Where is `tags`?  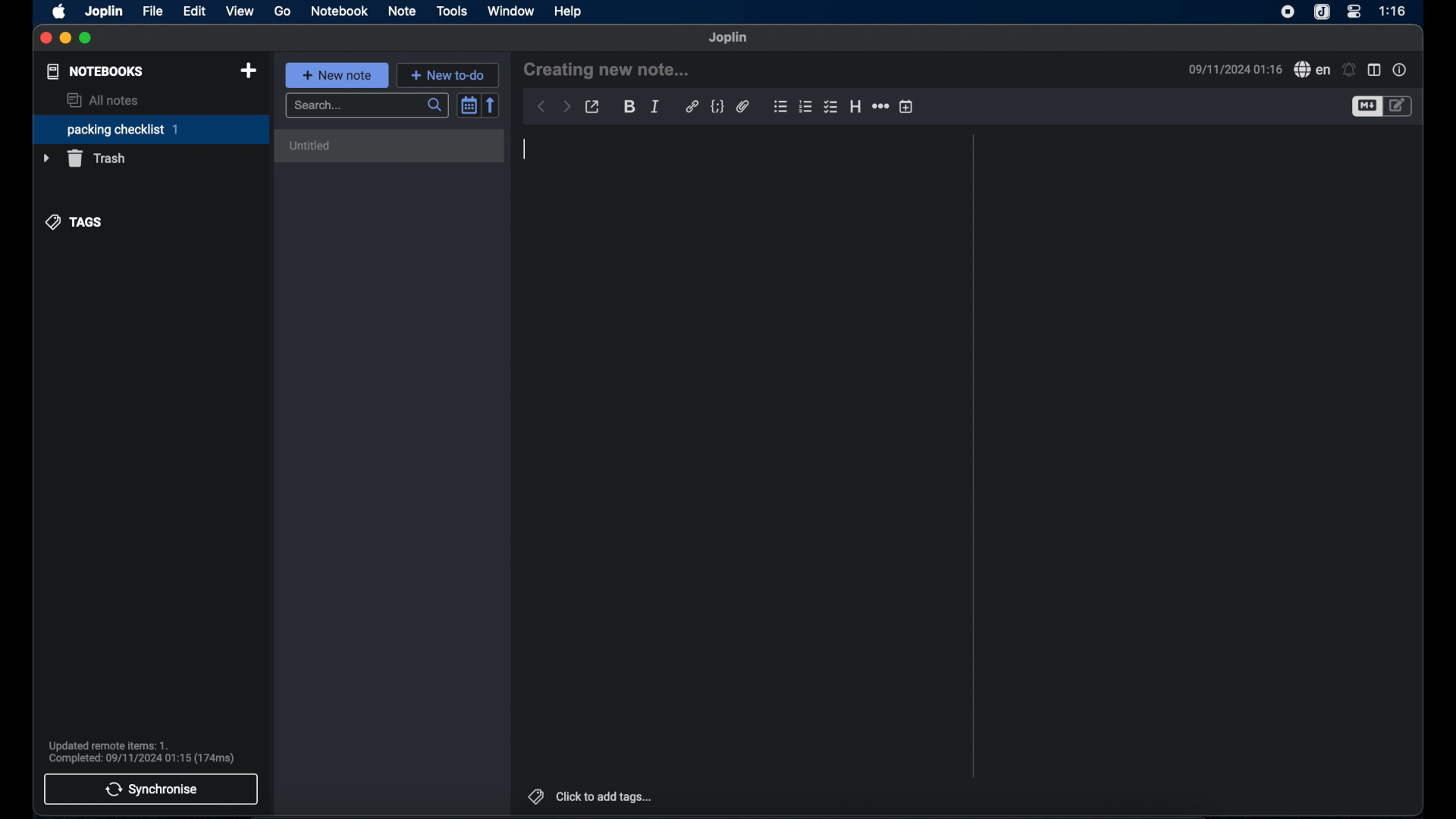 tags is located at coordinates (74, 223).